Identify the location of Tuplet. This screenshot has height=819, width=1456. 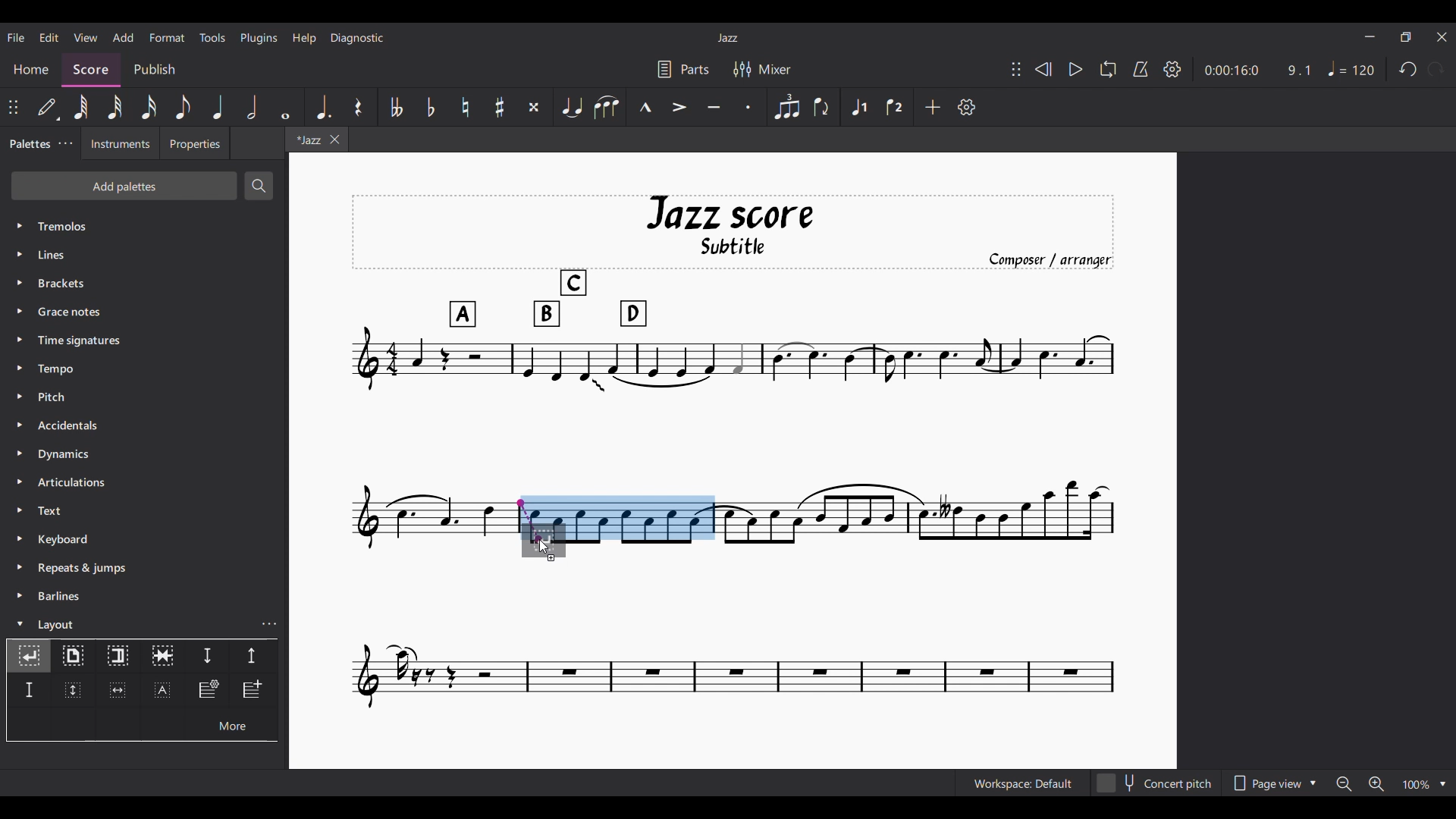
(786, 107).